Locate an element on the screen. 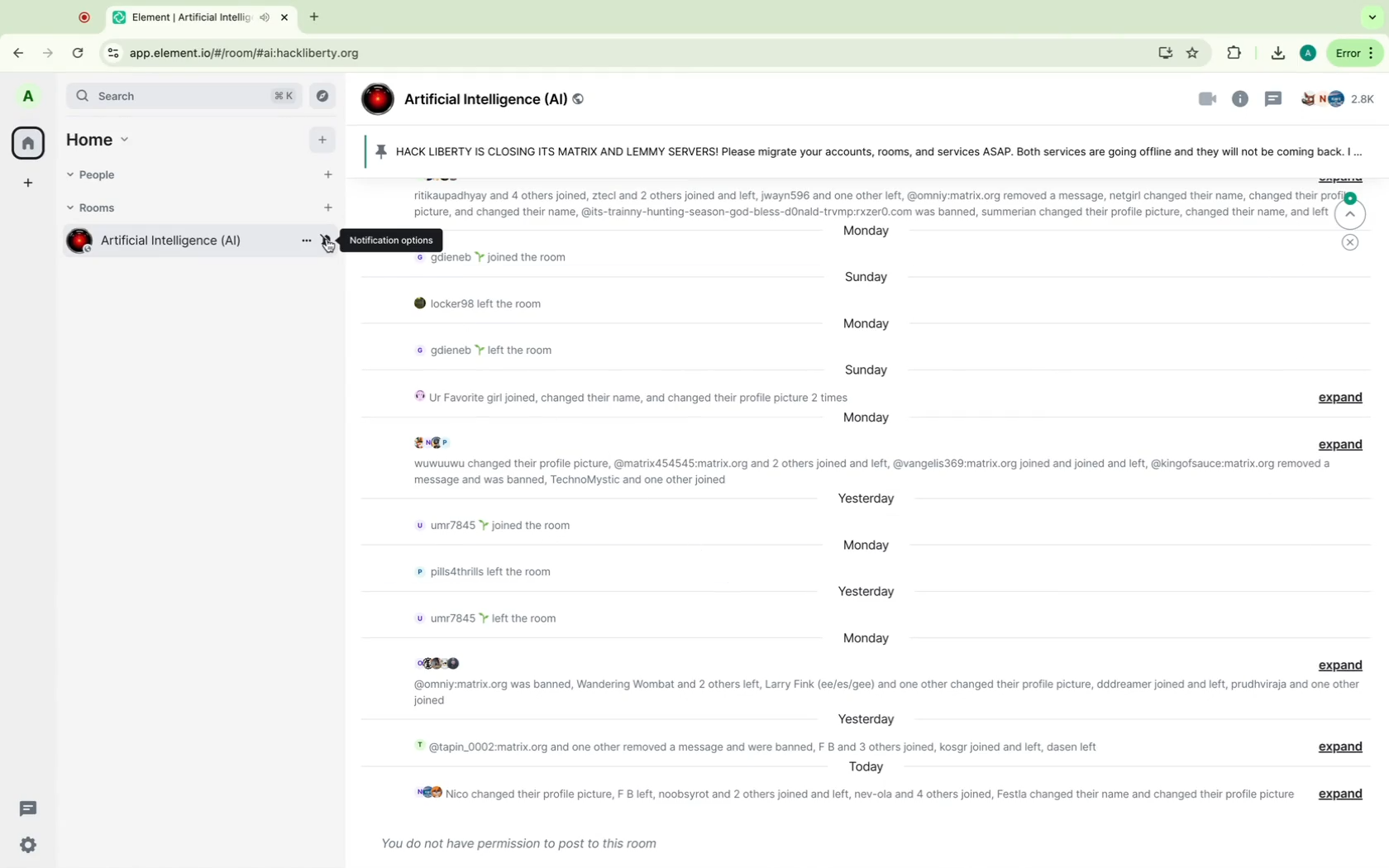  more is located at coordinates (302, 243).